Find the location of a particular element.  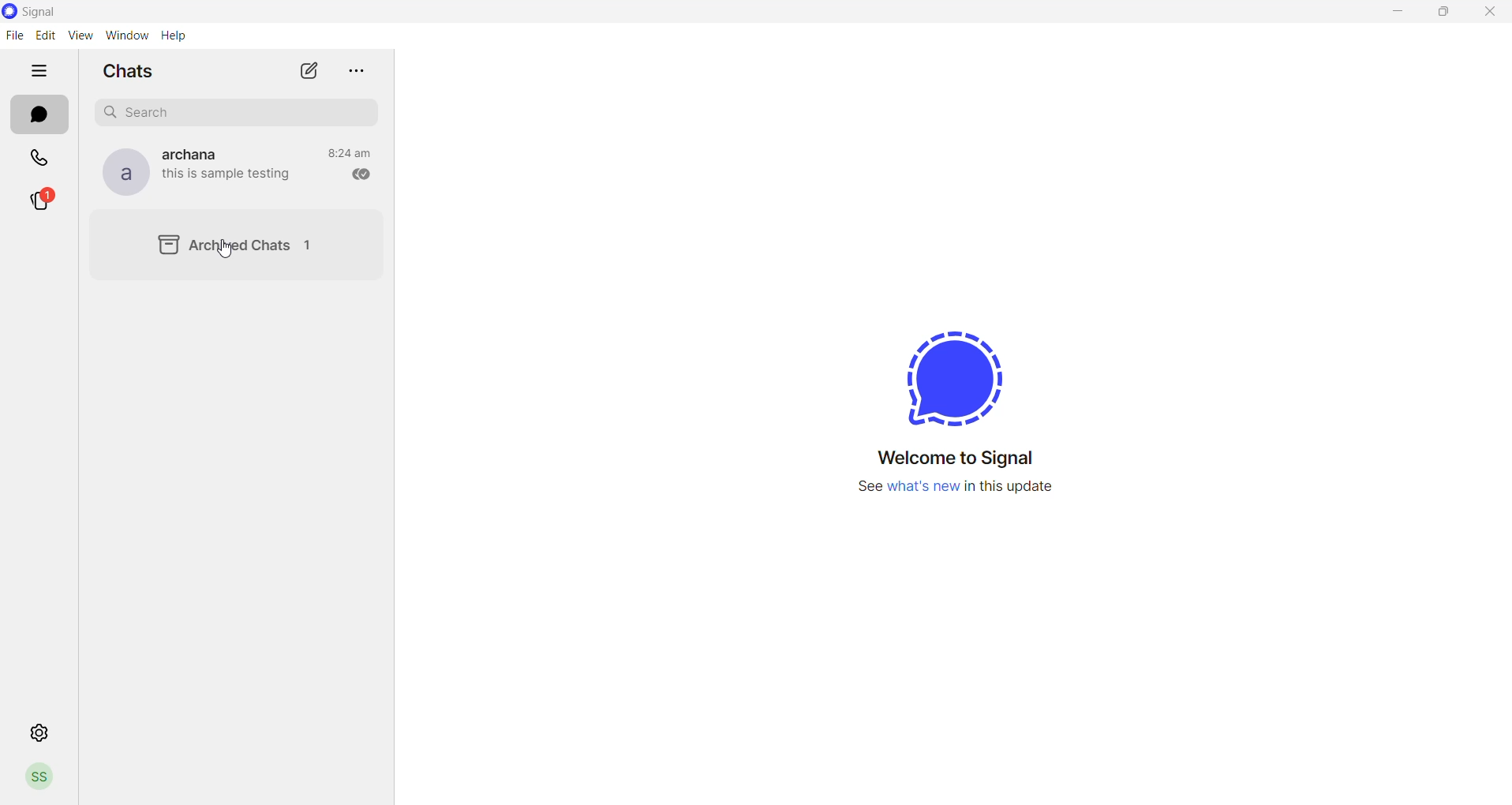

settings is located at coordinates (41, 731).